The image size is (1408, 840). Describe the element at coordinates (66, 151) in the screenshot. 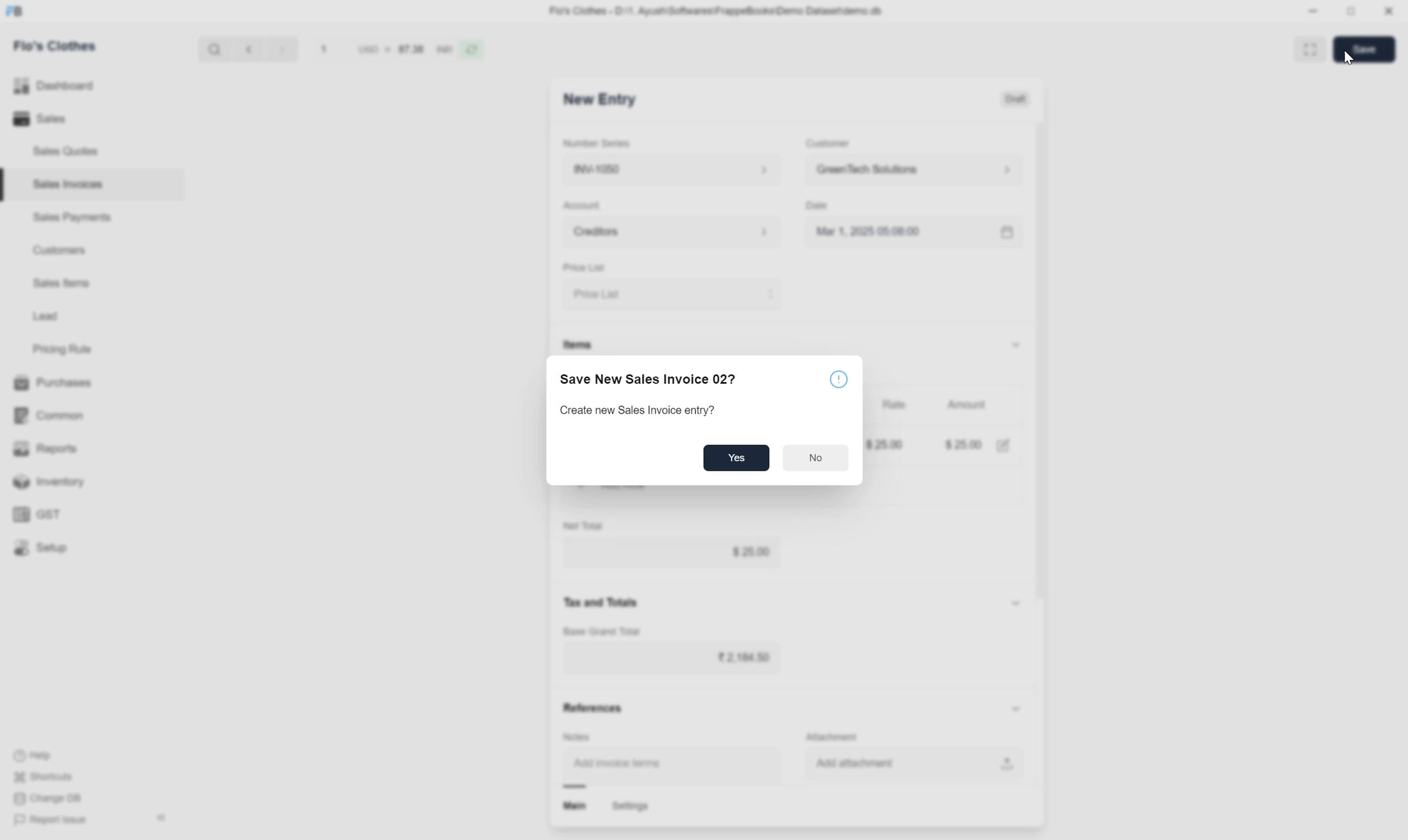

I see `Sales Quotes` at that location.